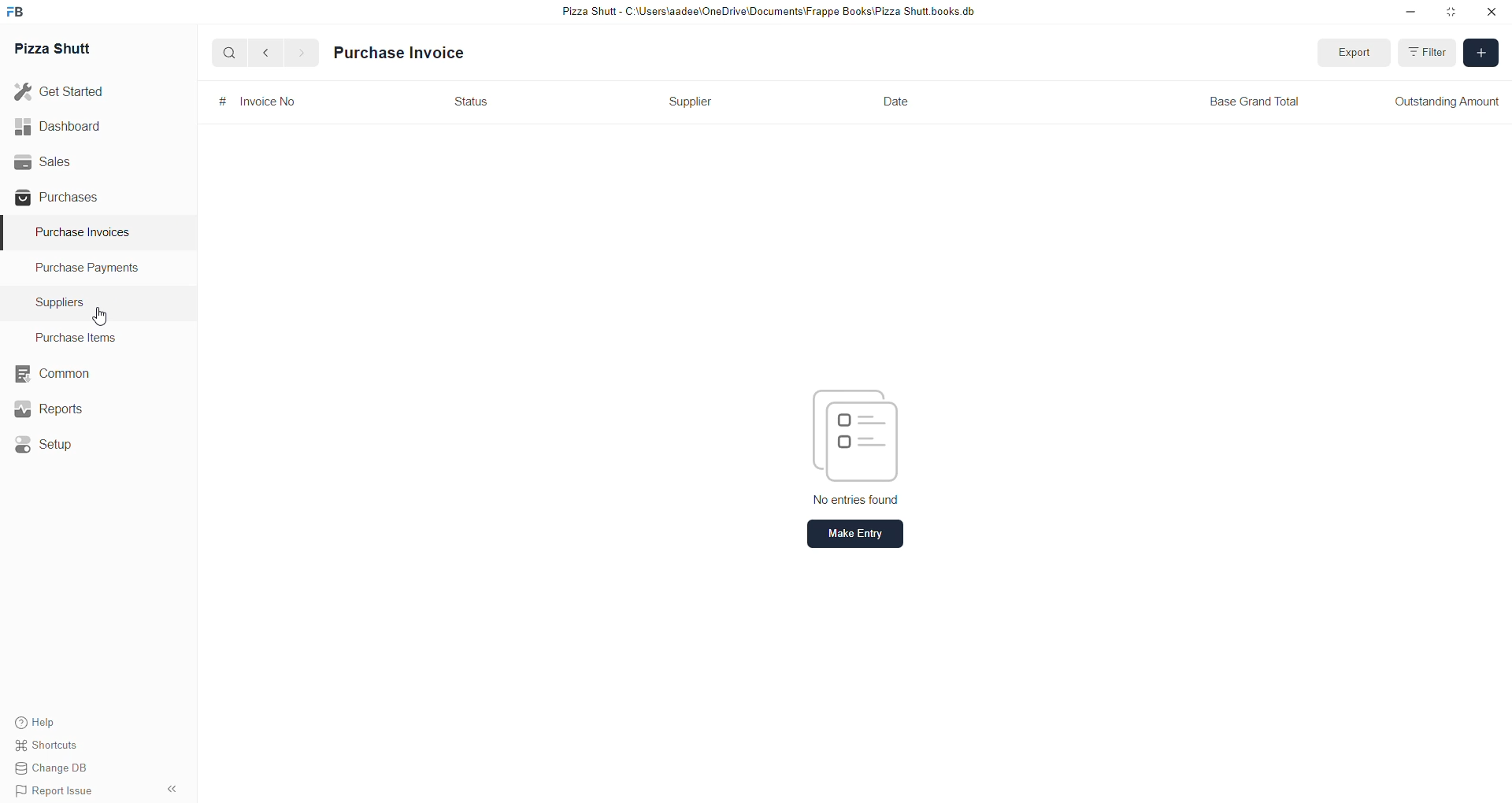 The width and height of the screenshot is (1512, 803). I want to click on previous page, so click(263, 53).